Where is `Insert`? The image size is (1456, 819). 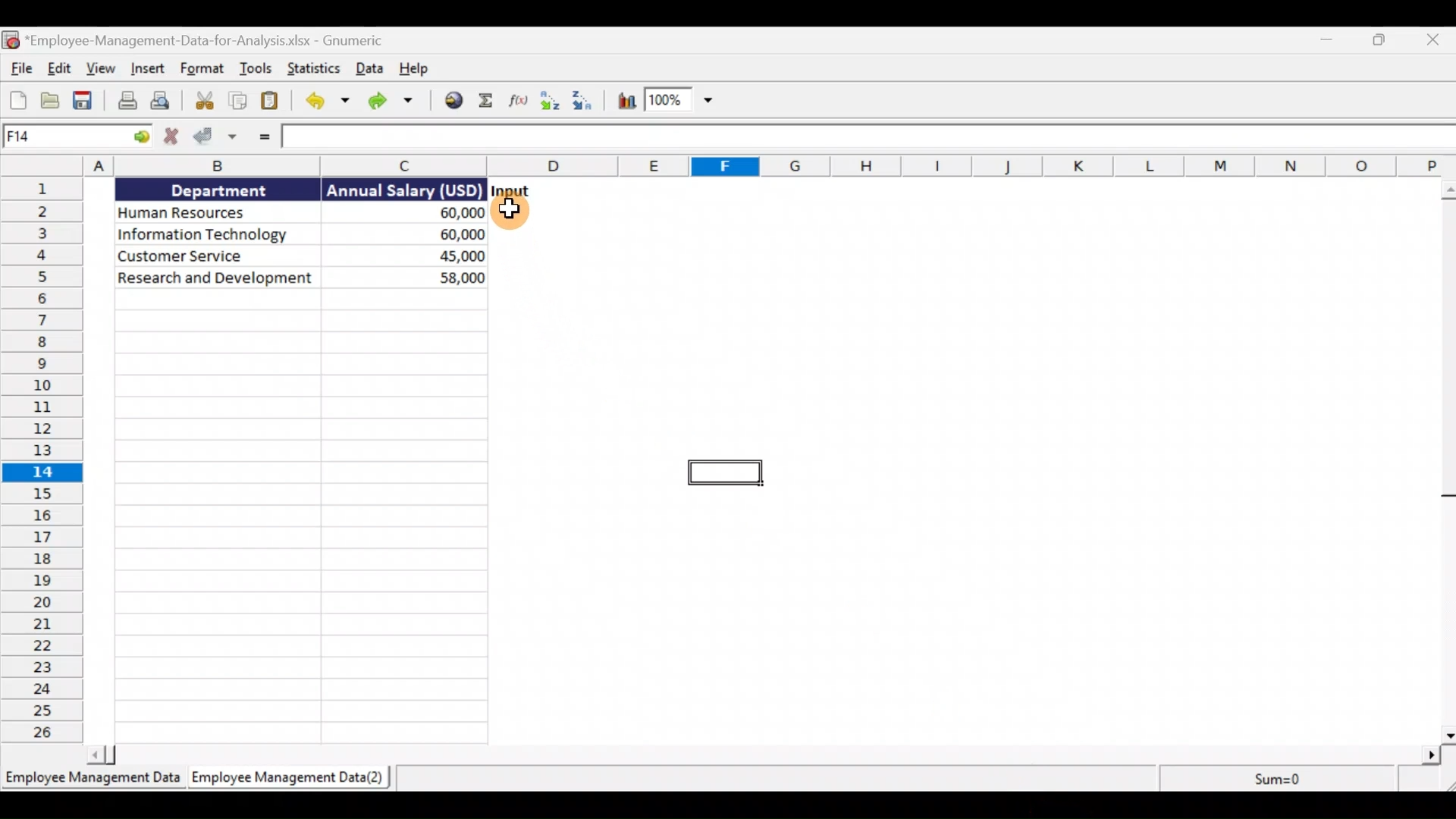 Insert is located at coordinates (149, 67).